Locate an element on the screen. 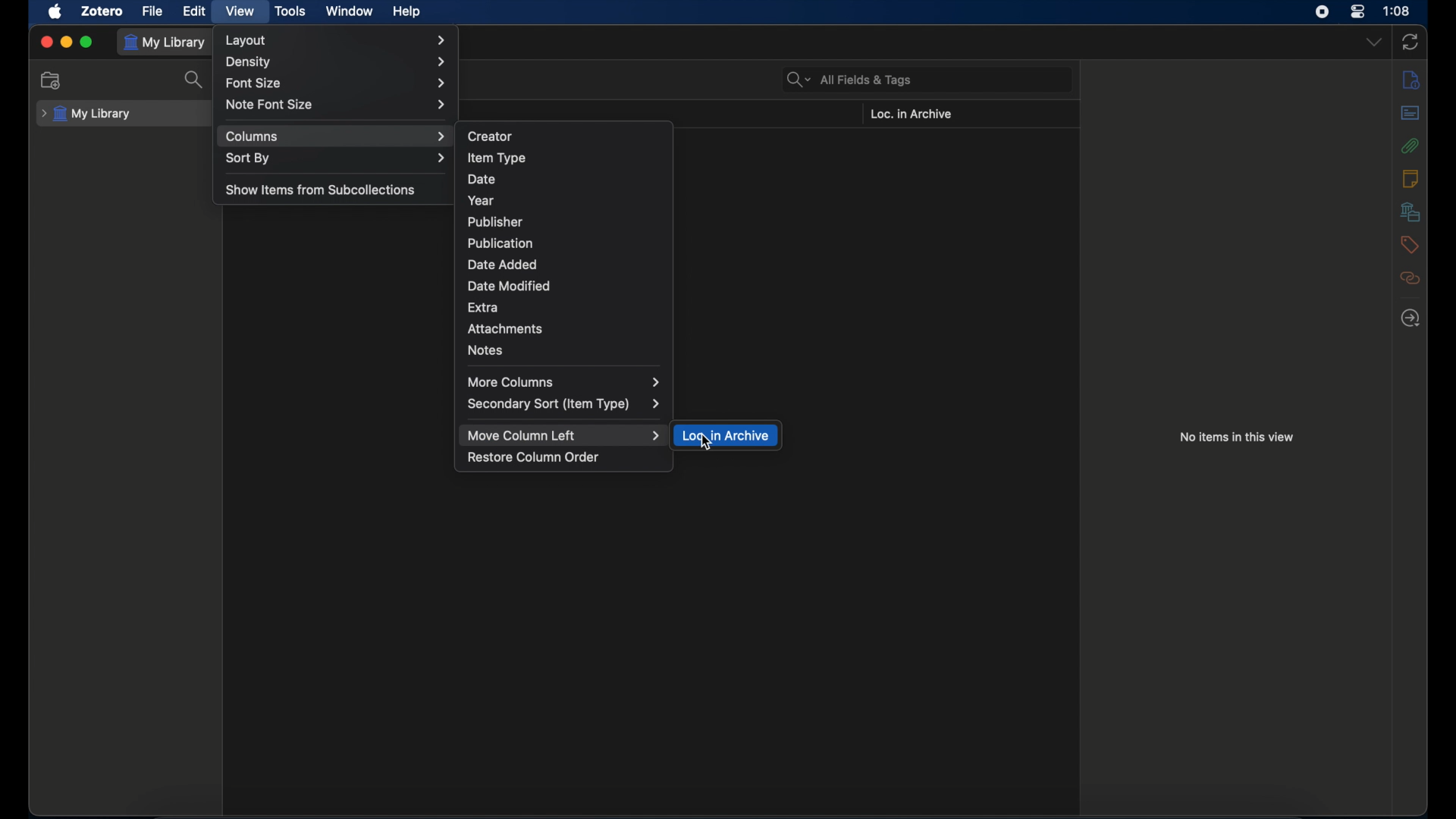 The image size is (1456, 819). date is located at coordinates (482, 180).